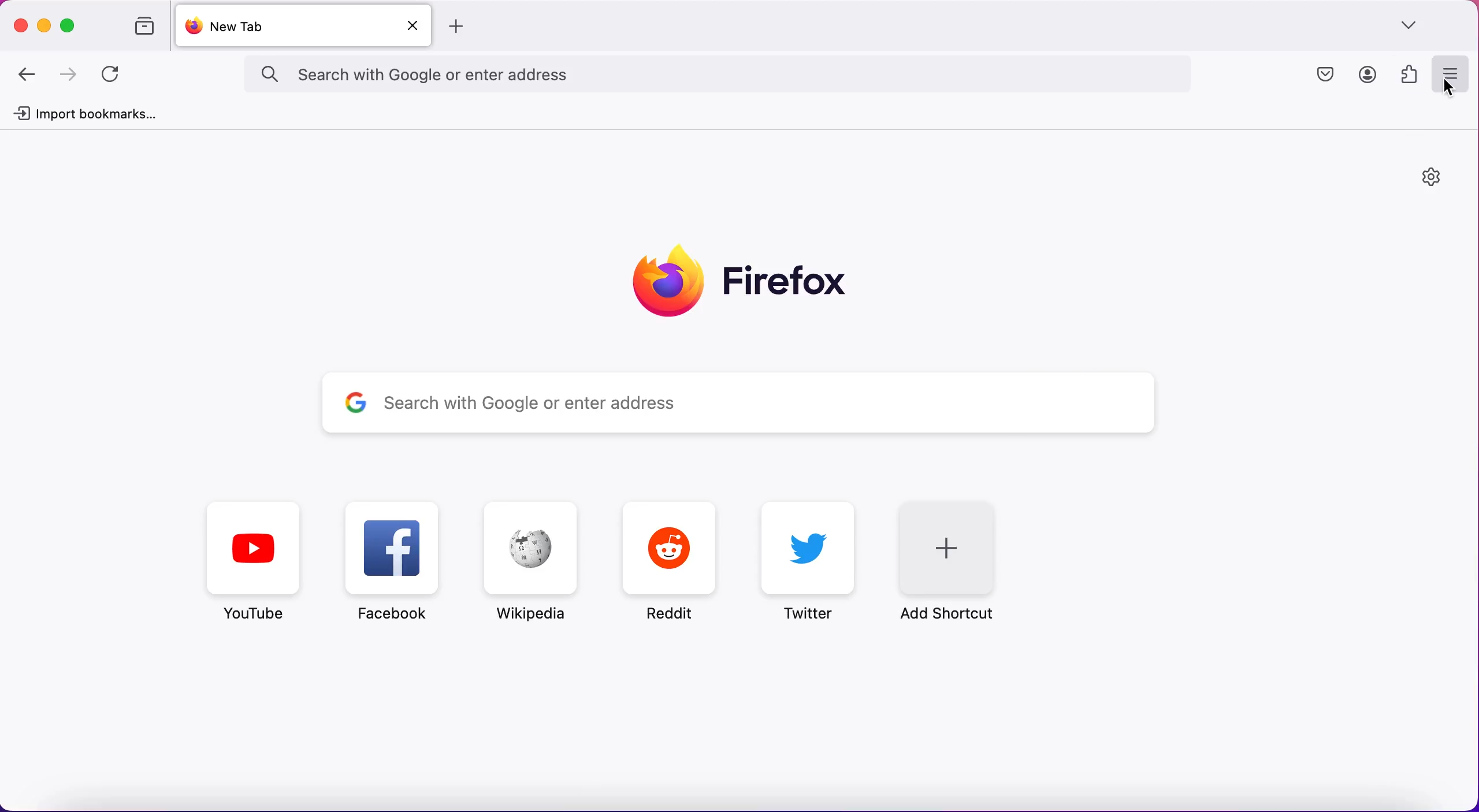 This screenshot has width=1479, height=812. I want to click on extensions, so click(1406, 74).